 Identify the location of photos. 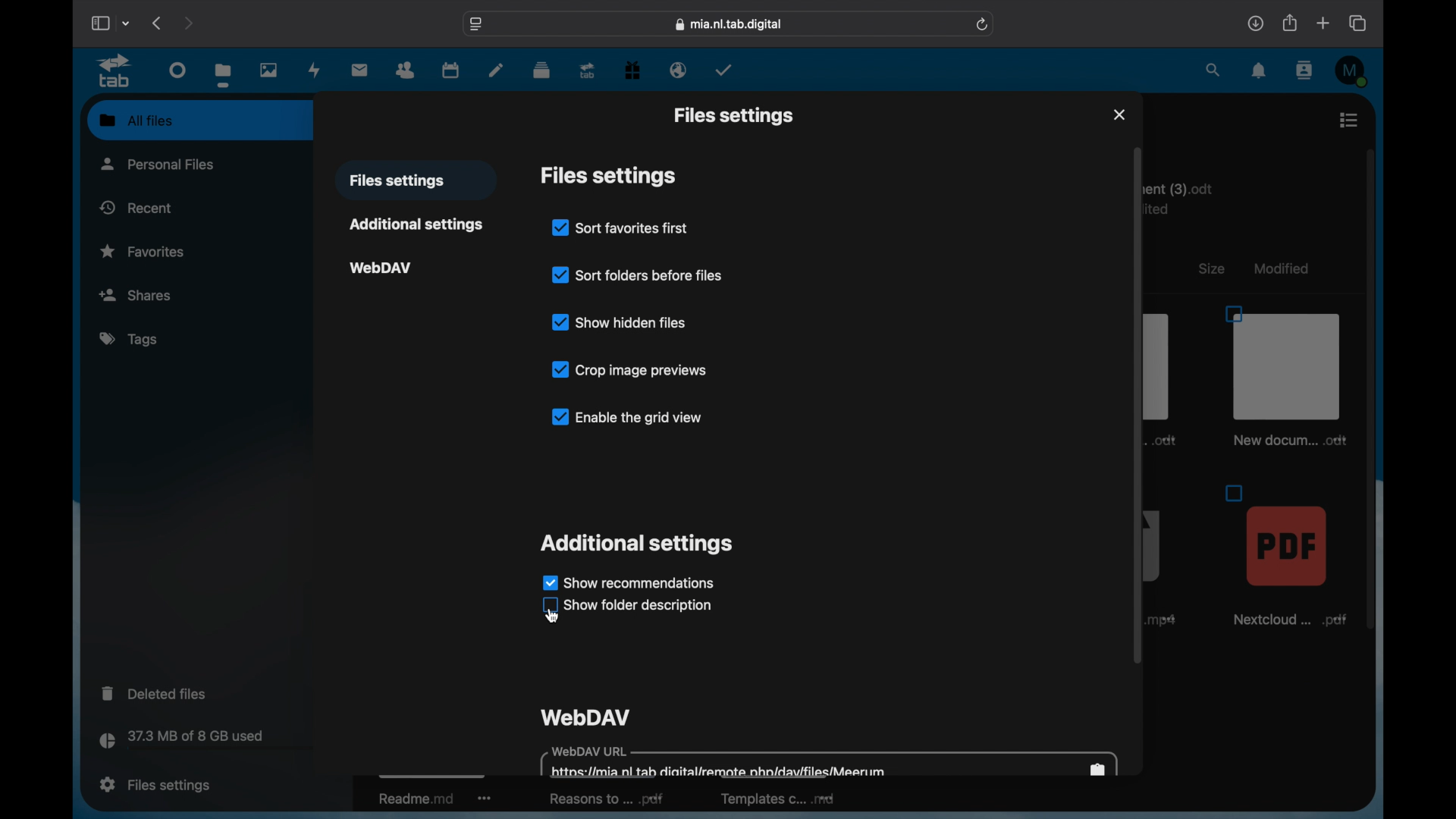
(268, 69).